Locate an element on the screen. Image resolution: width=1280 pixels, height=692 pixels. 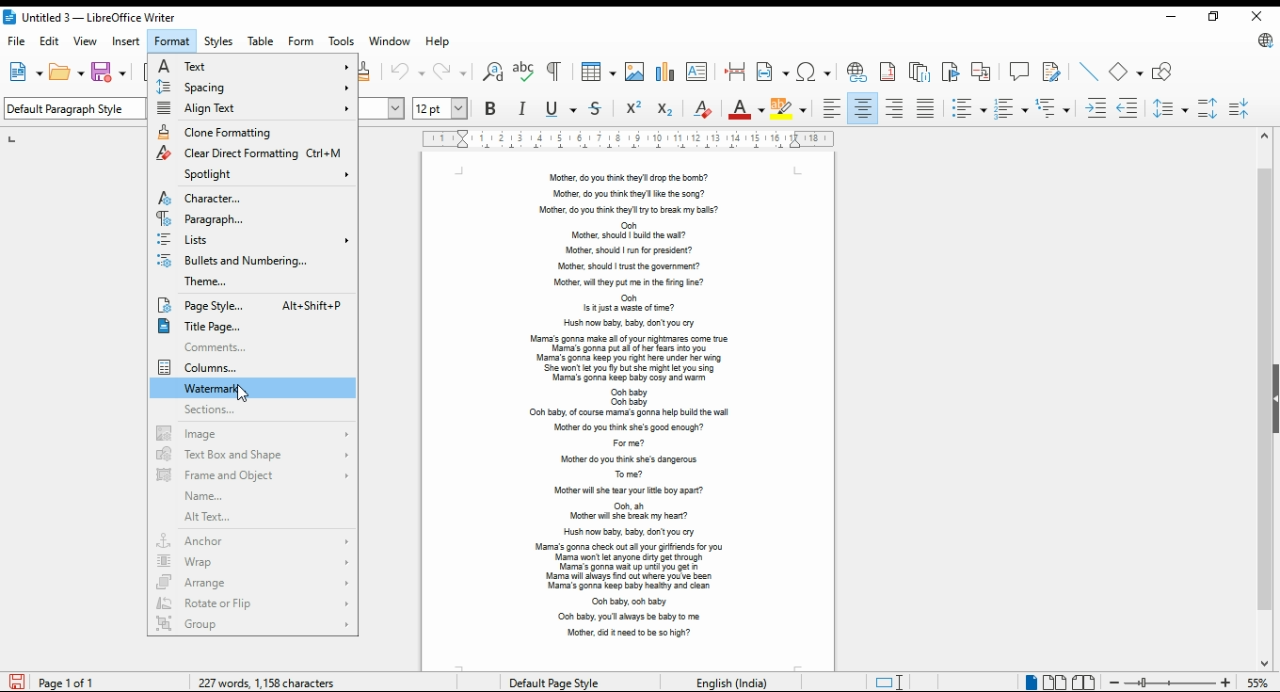
view is located at coordinates (88, 42).